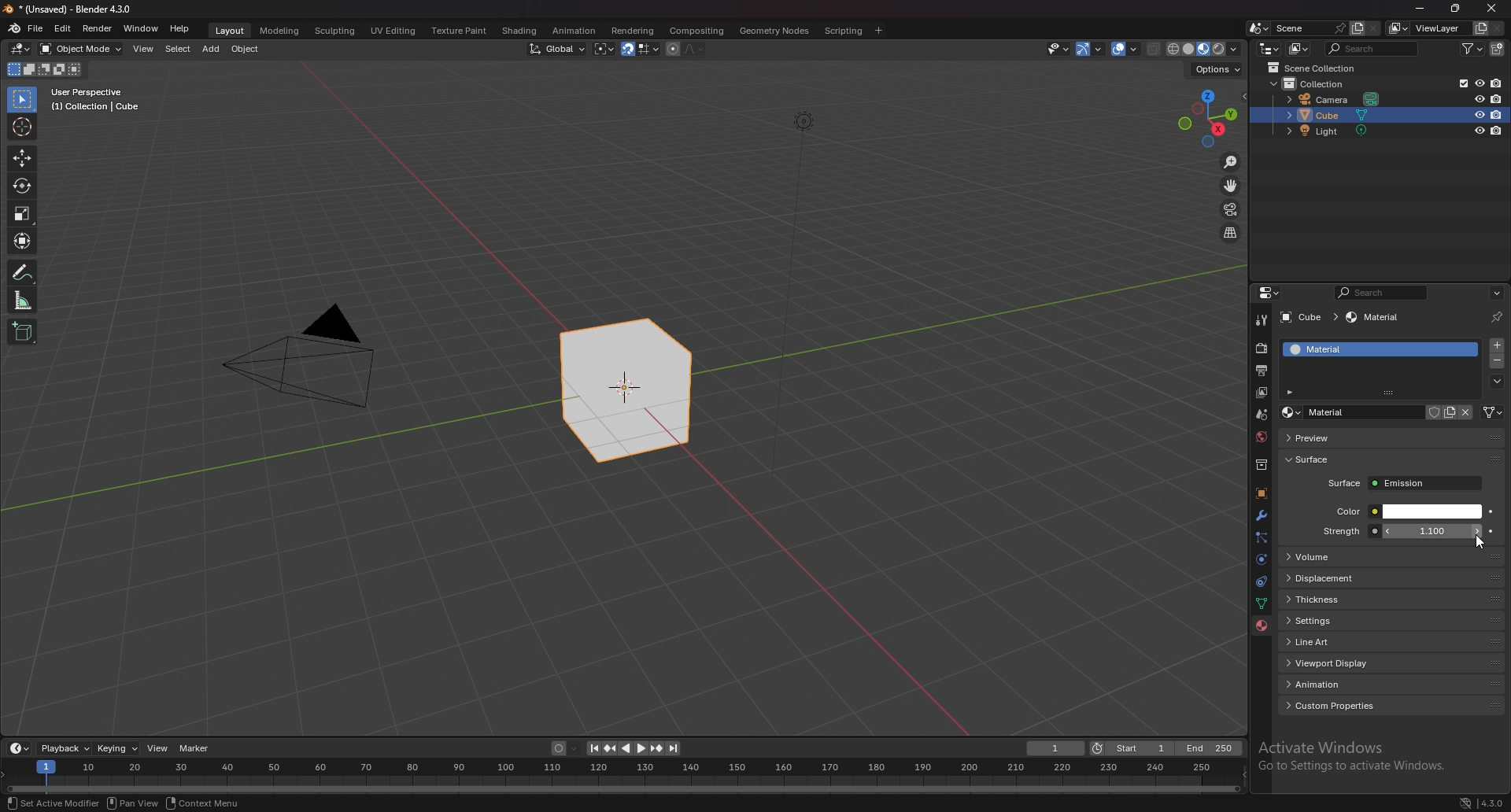 The width and height of the screenshot is (1511, 812). I want to click on compositing, so click(696, 31).